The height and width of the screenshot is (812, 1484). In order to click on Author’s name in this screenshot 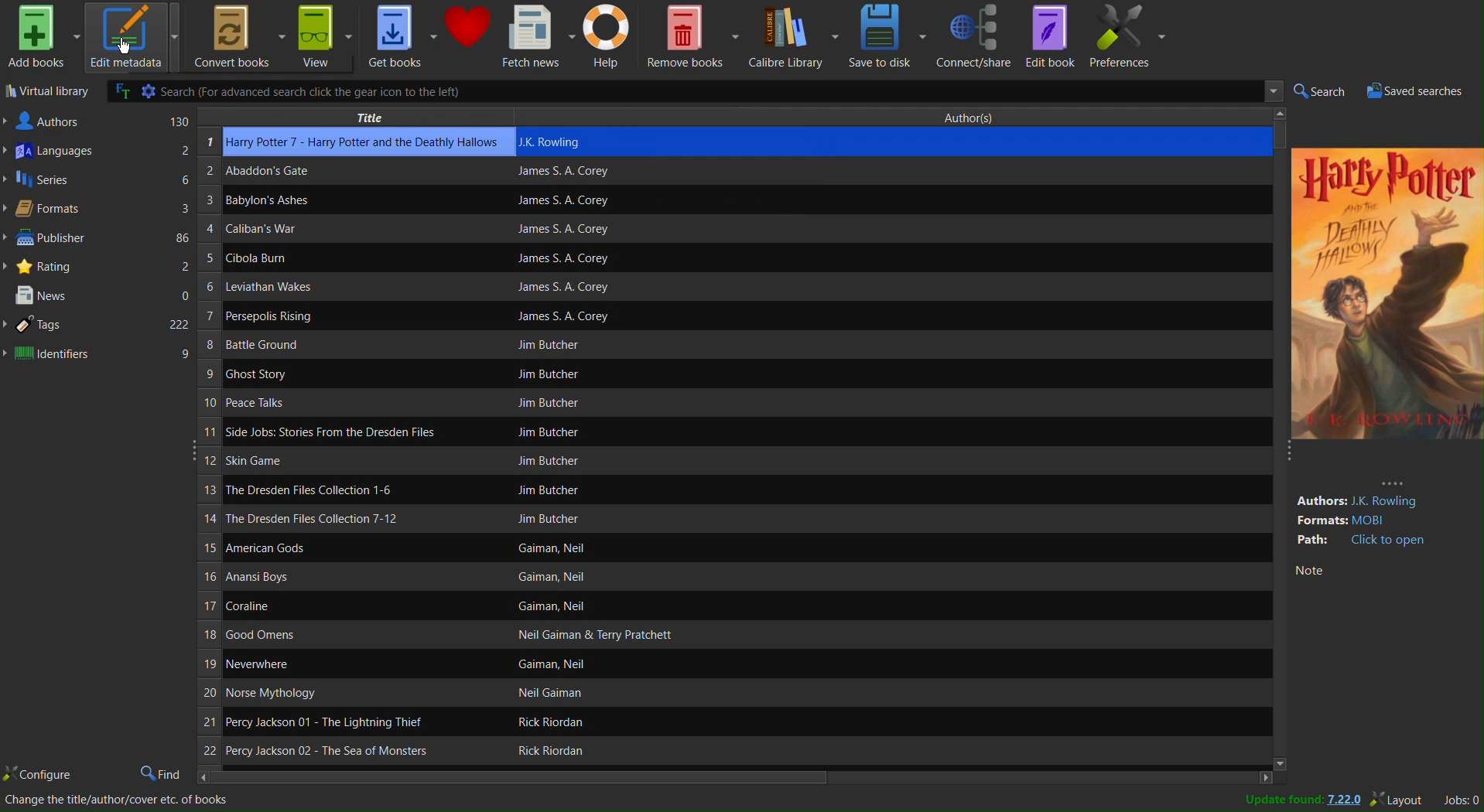, I will do `click(753, 258)`.